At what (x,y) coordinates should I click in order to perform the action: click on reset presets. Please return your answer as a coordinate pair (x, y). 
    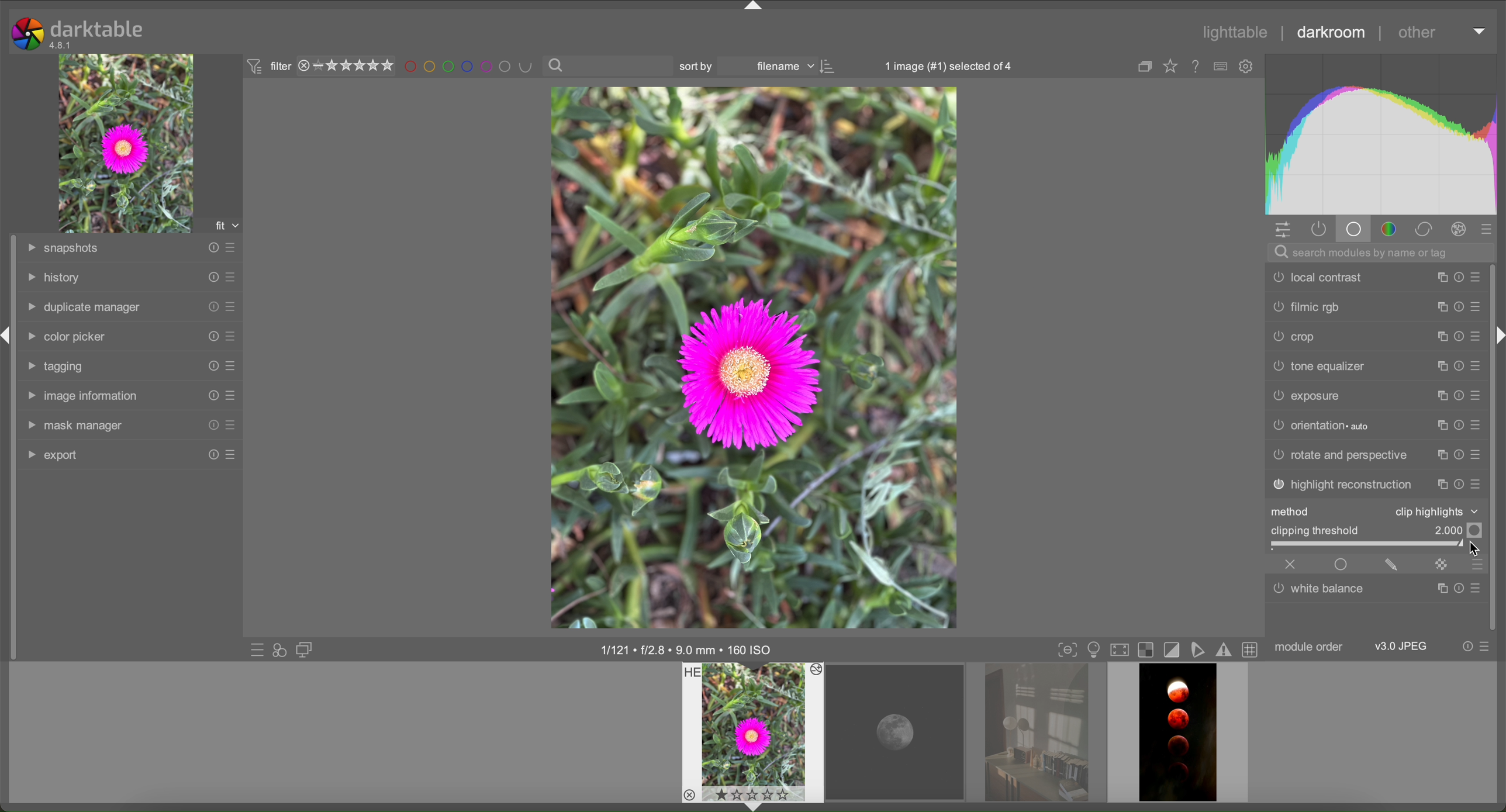
    Looking at the image, I should click on (1467, 645).